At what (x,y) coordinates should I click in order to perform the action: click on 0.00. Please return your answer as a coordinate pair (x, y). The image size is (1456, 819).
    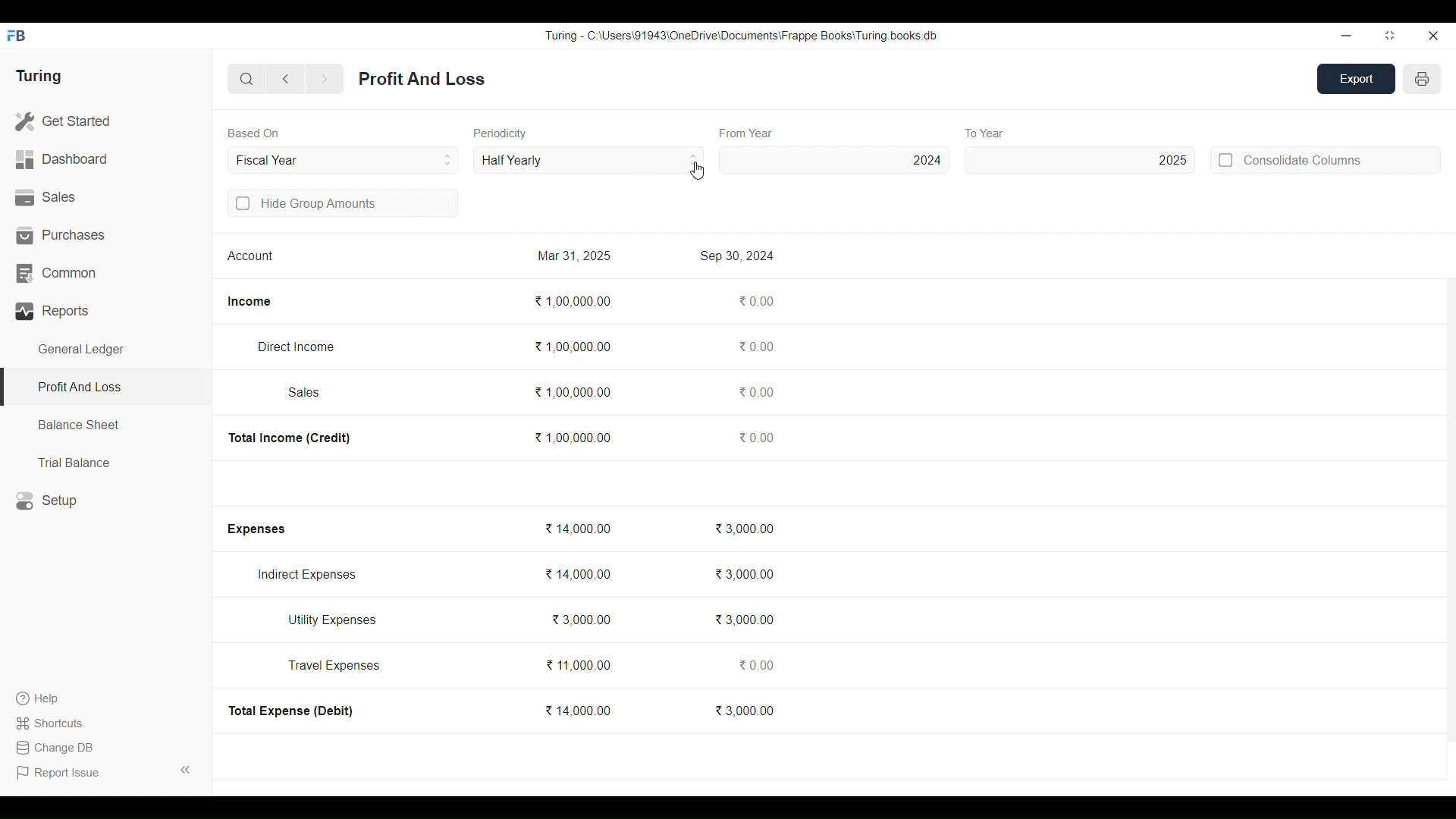
    Looking at the image, I should click on (755, 437).